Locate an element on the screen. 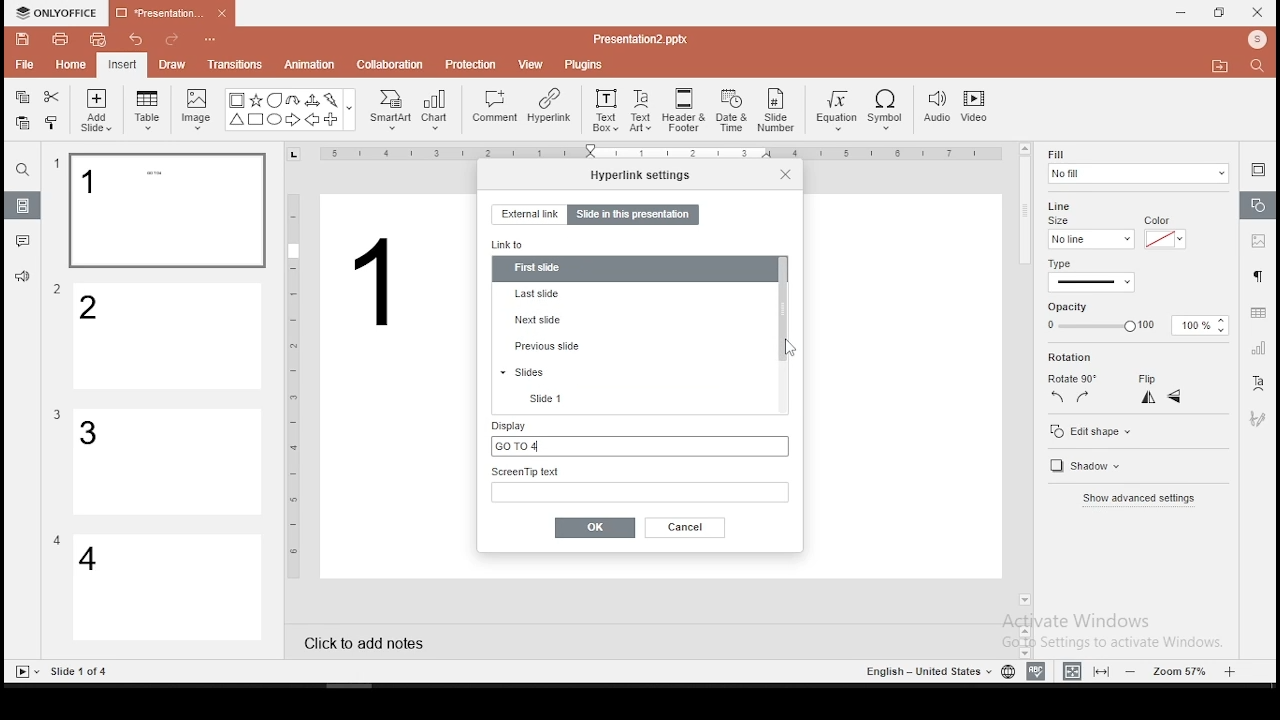  undo is located at coordinates (136, 41).